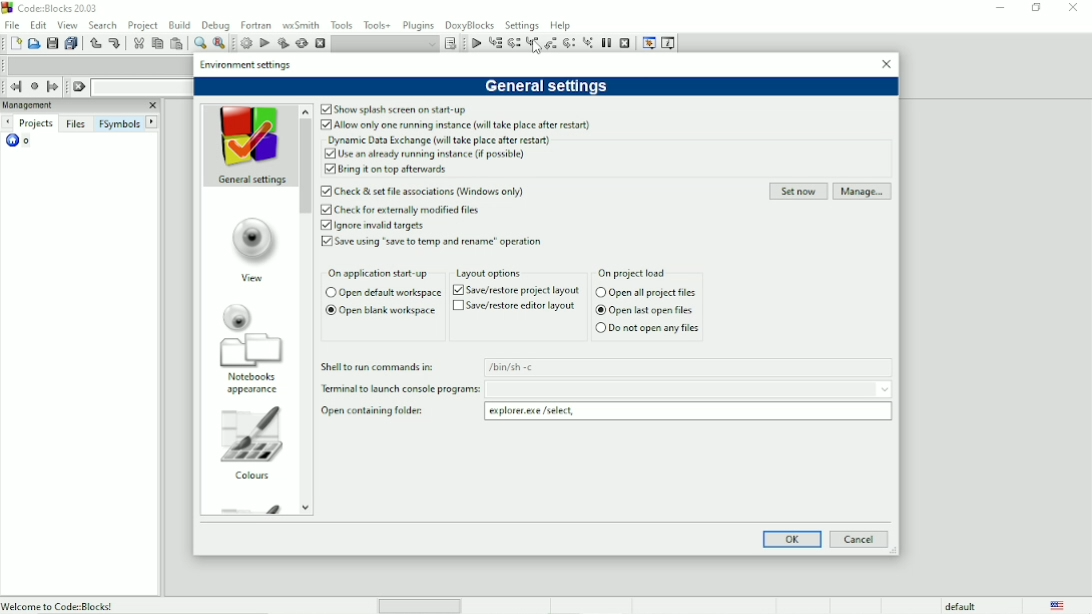 Image resolution: width=1092 pixels, height=614 pixels. I want to click on FSymbols, so click(119, 124).